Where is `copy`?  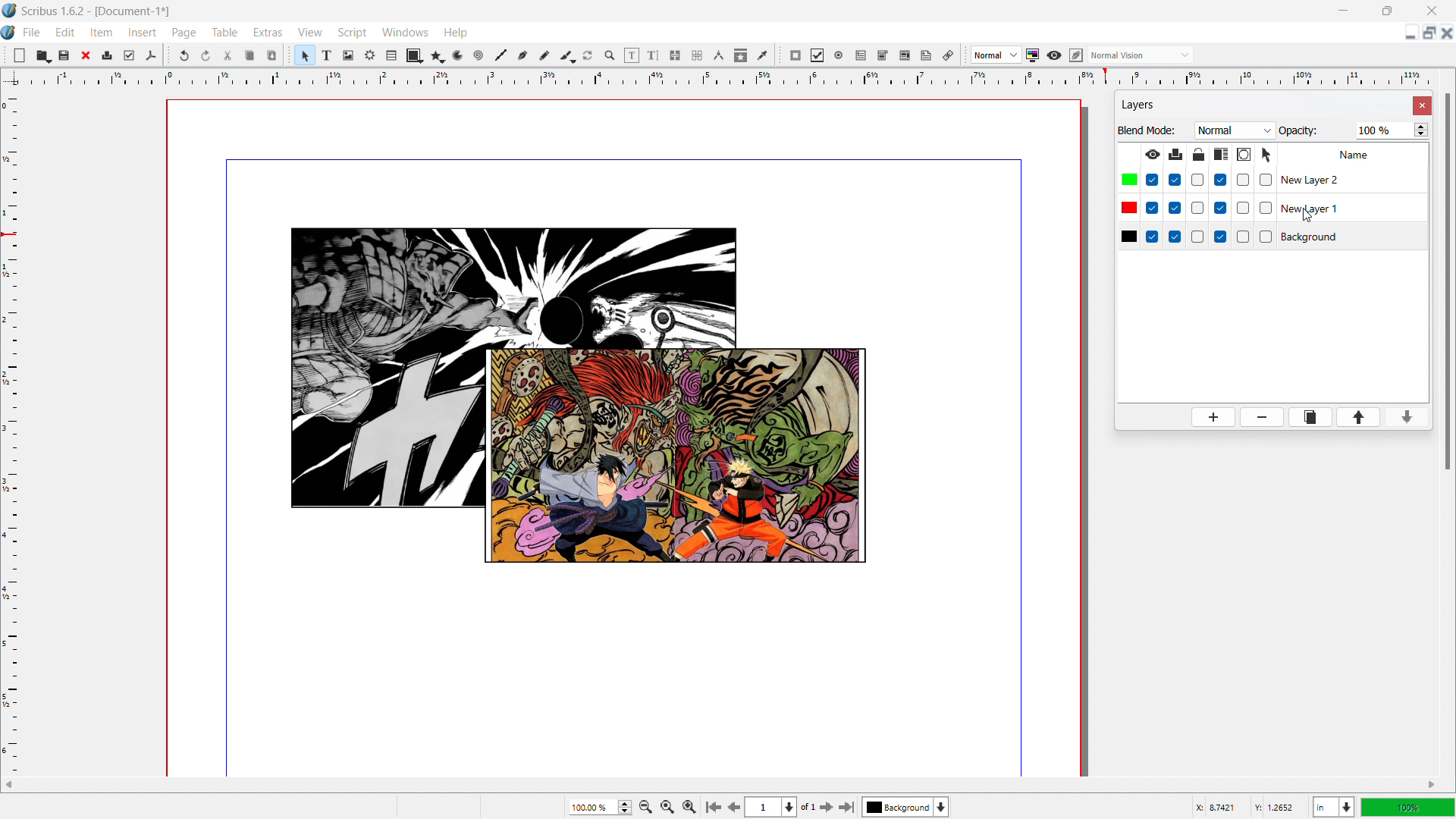
copy is located at coordinates (249, 55).